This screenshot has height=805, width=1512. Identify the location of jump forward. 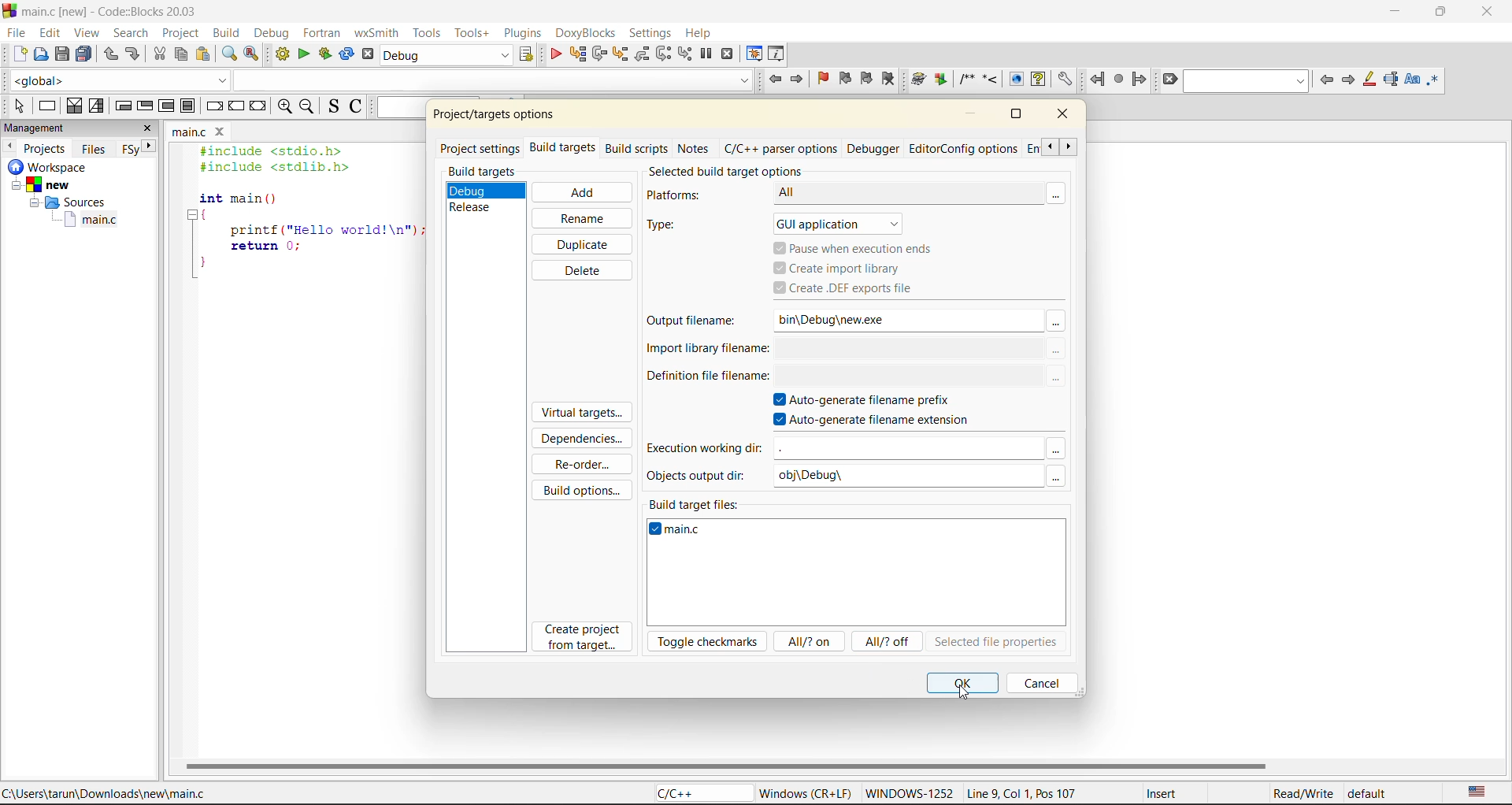
(799, 81).